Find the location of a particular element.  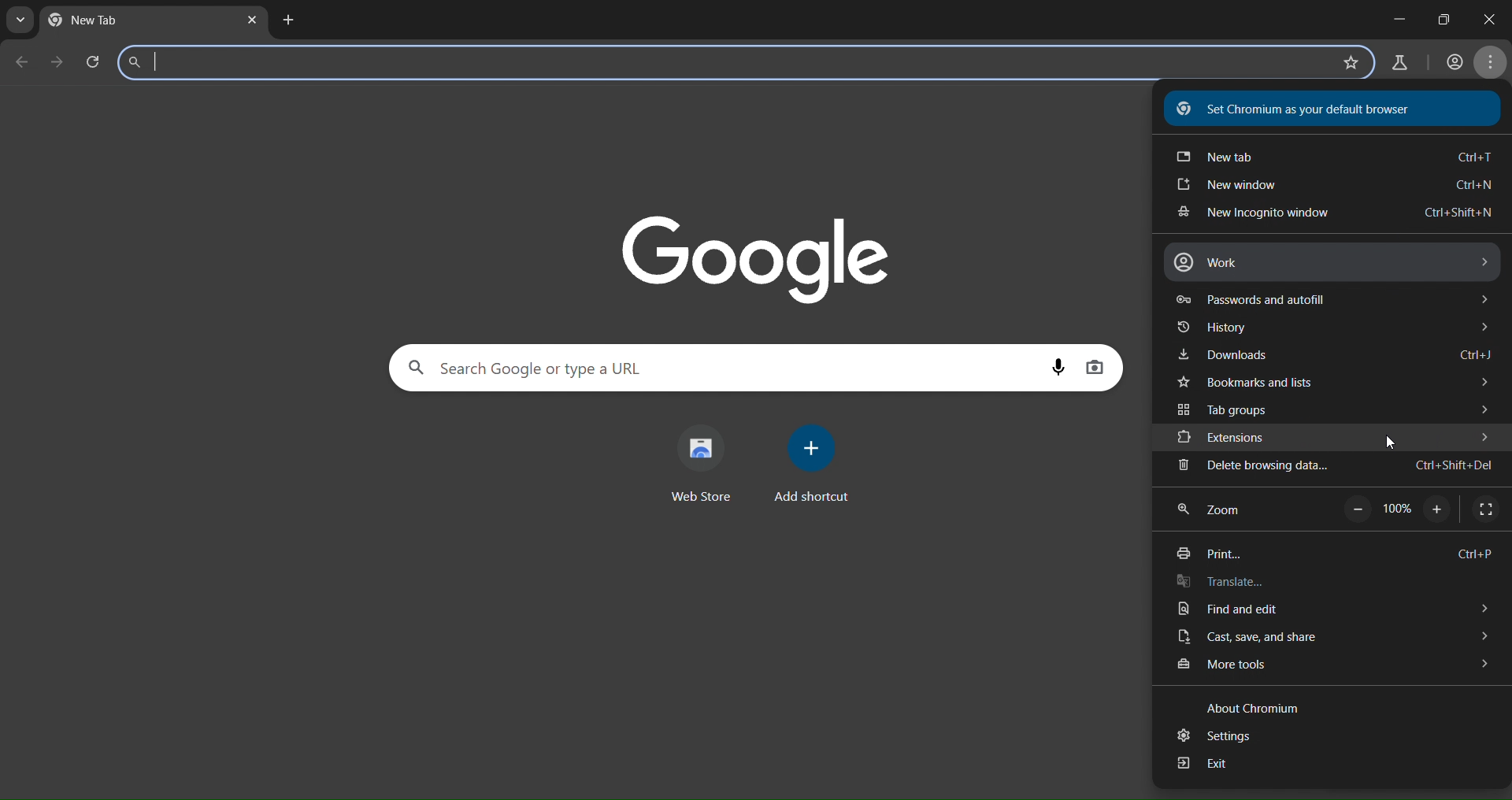

reload page is located at coordinates (95, 63).